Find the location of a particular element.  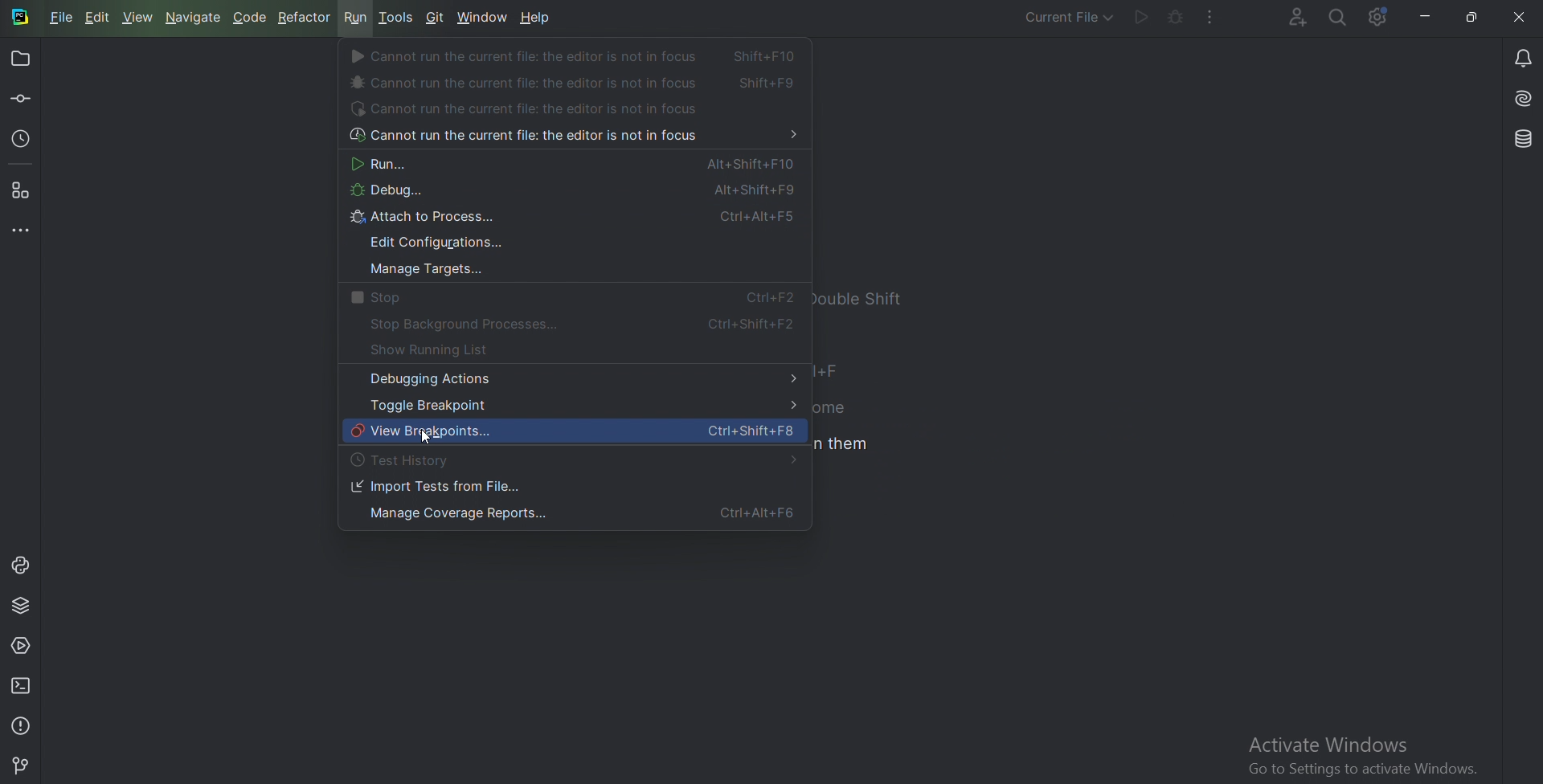

Cannot run the current file the editor is not in focus is located at coordinates (578, 56).